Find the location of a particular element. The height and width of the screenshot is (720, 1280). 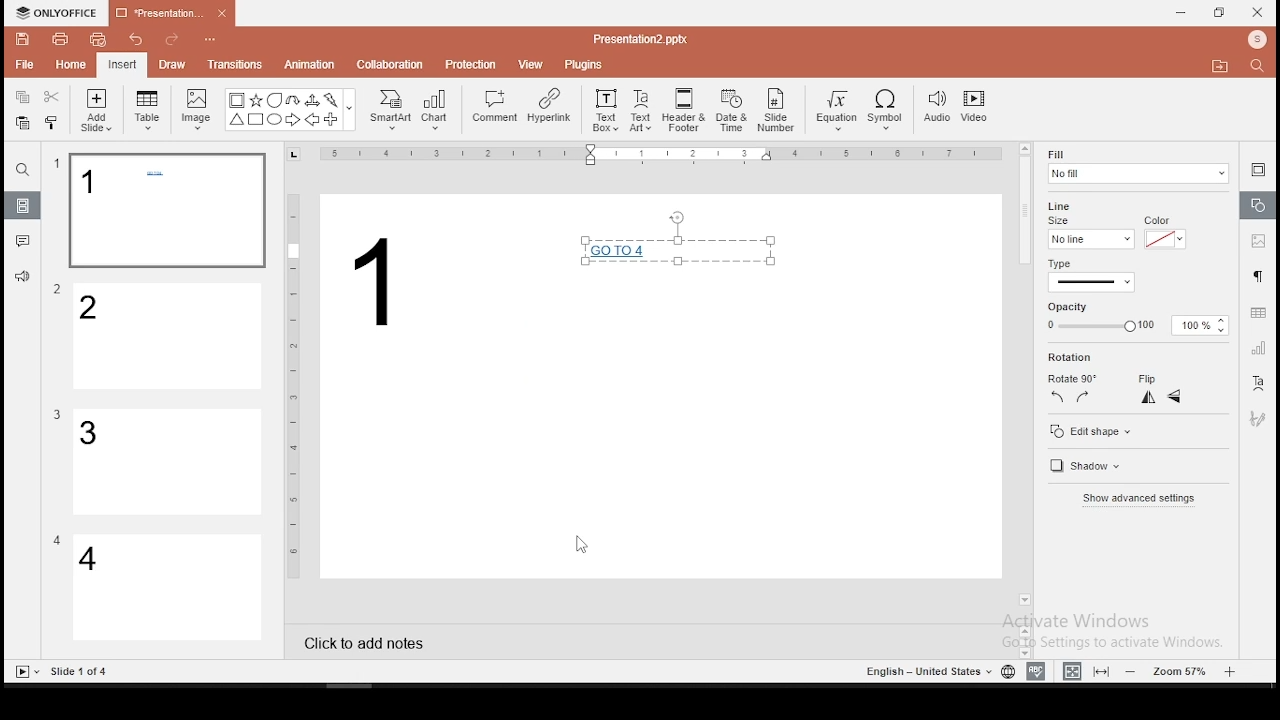

transitions is located at coordinates (234, 64).